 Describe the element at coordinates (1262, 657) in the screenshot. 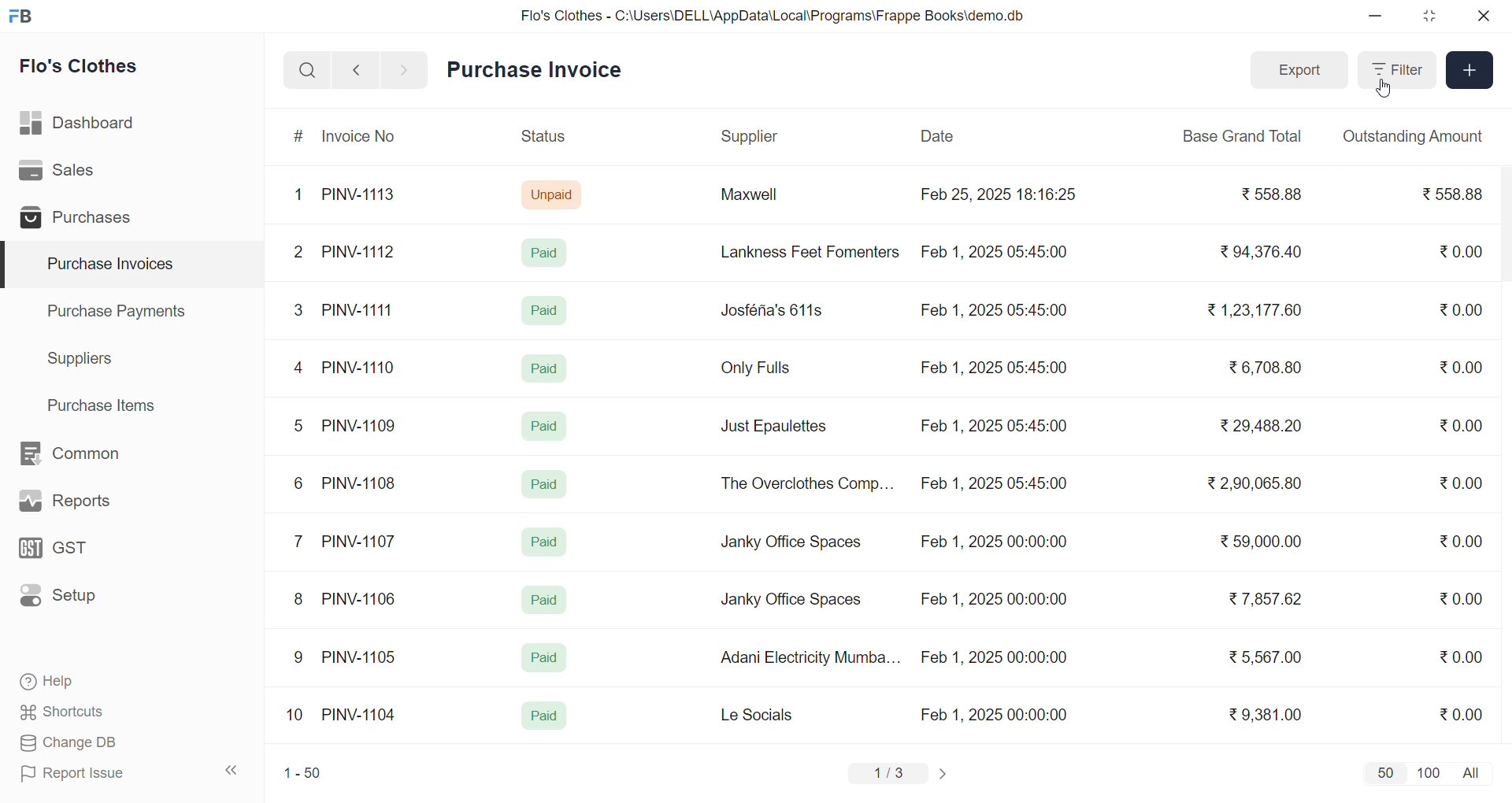

I see `₹ 5,567.00` at that location.